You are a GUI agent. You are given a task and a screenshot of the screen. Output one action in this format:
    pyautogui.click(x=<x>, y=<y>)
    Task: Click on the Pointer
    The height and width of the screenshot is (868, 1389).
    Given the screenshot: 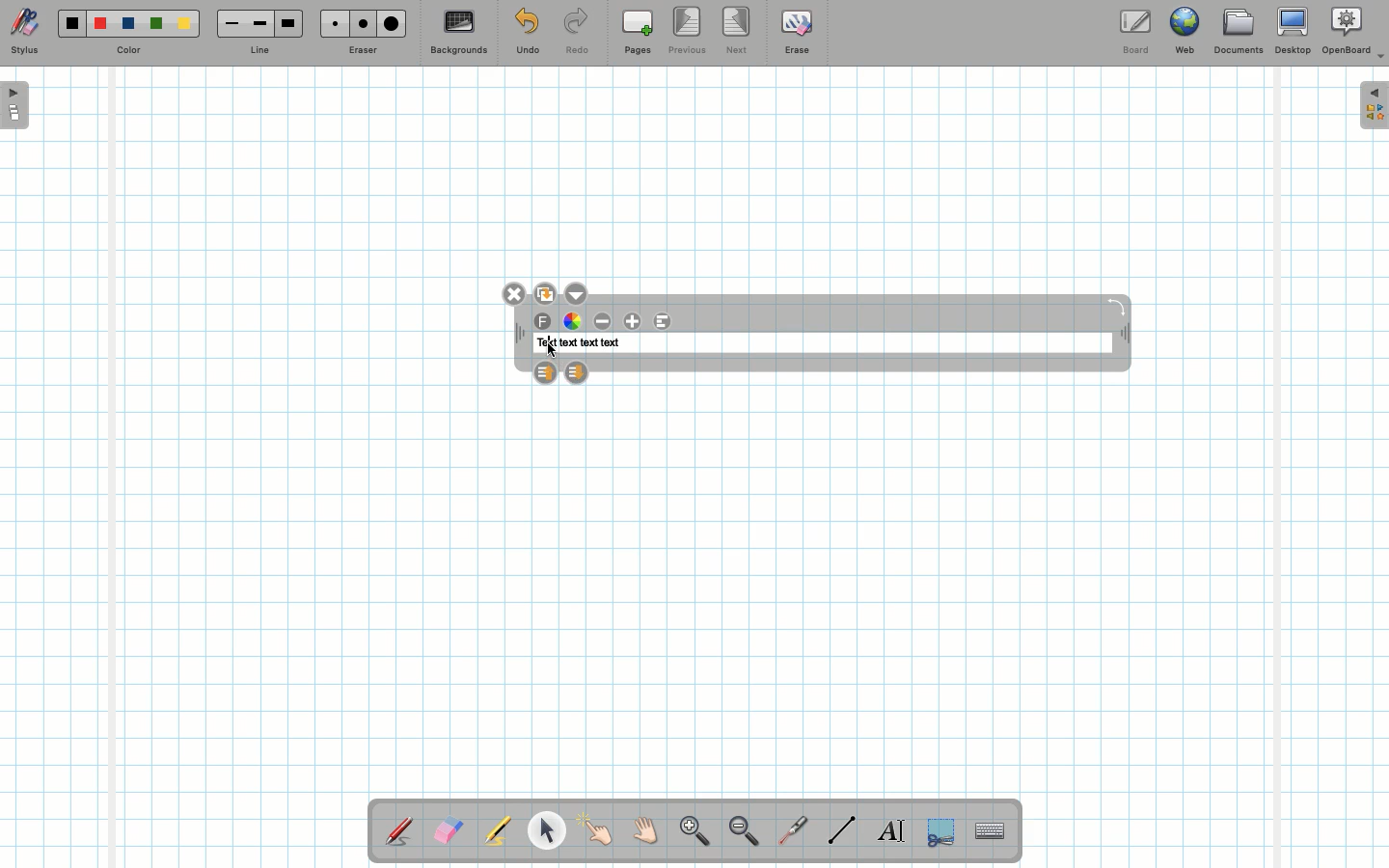 What is the action you would take?
    pyautogui.click(x=596, y=830)
    